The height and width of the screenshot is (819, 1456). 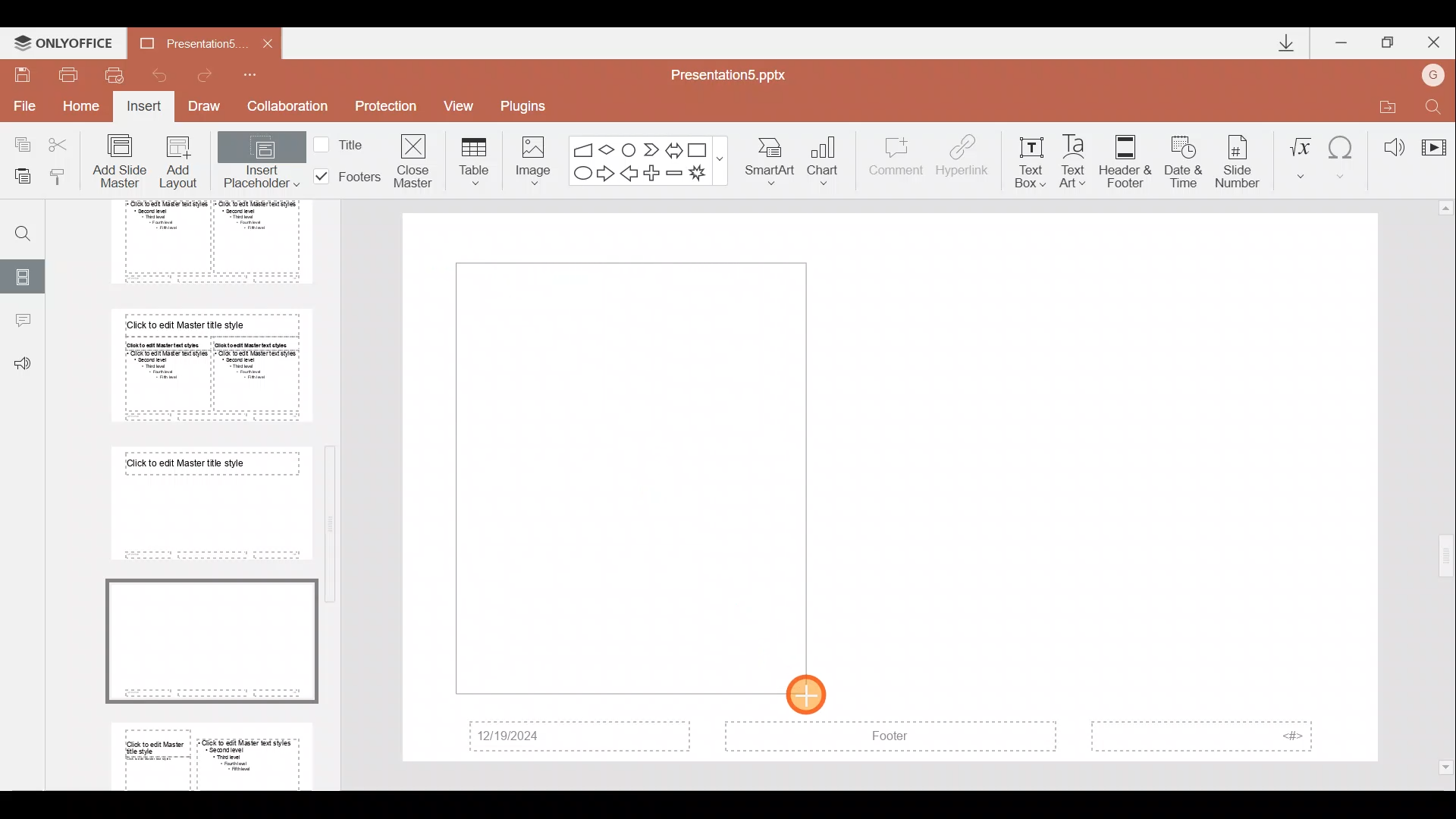 I want to click on Slide number, so click(x=1241, y=158).